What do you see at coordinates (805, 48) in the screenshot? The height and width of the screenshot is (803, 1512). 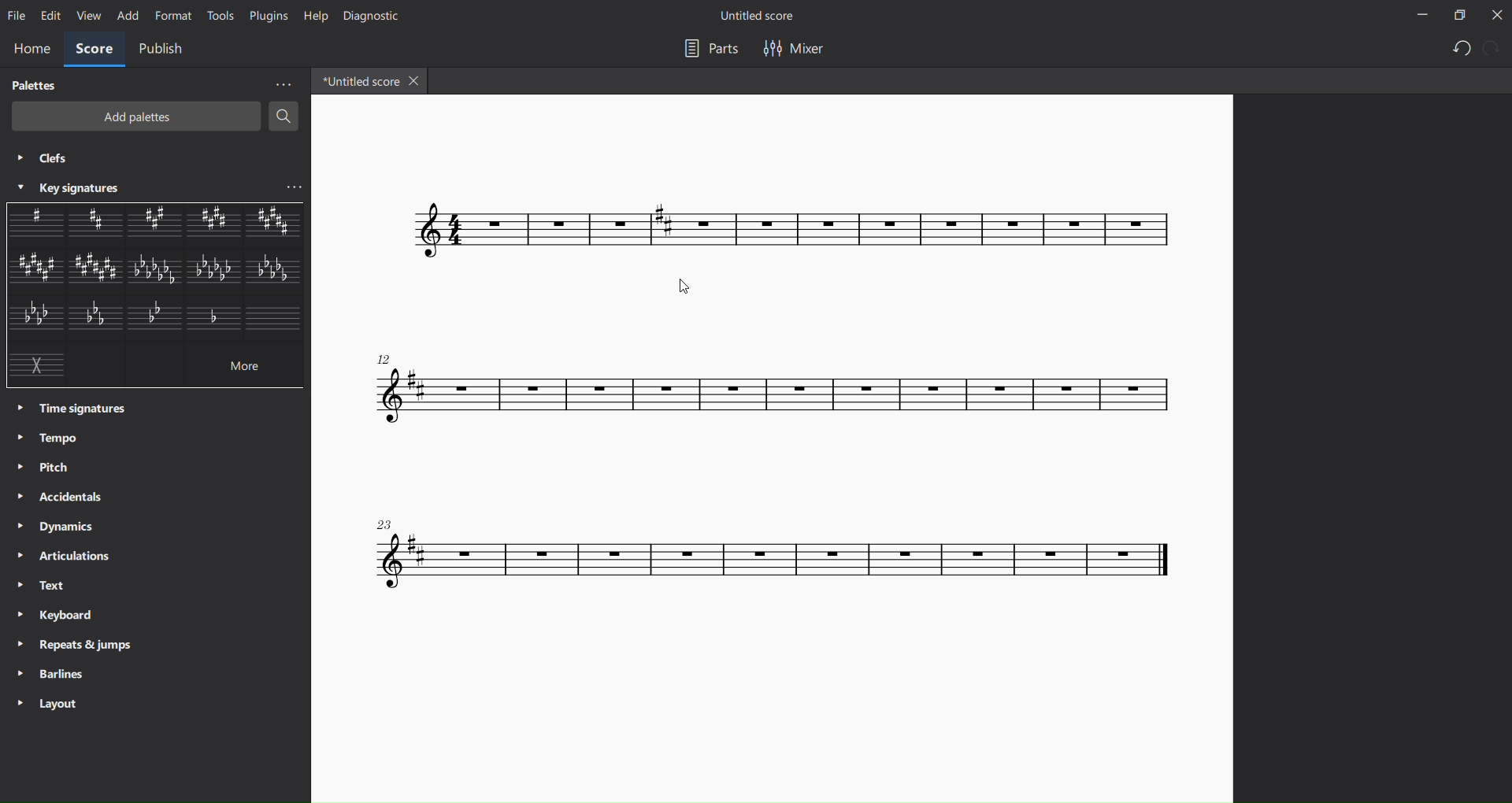 I see `mixer` at bounding box center [805, 48].